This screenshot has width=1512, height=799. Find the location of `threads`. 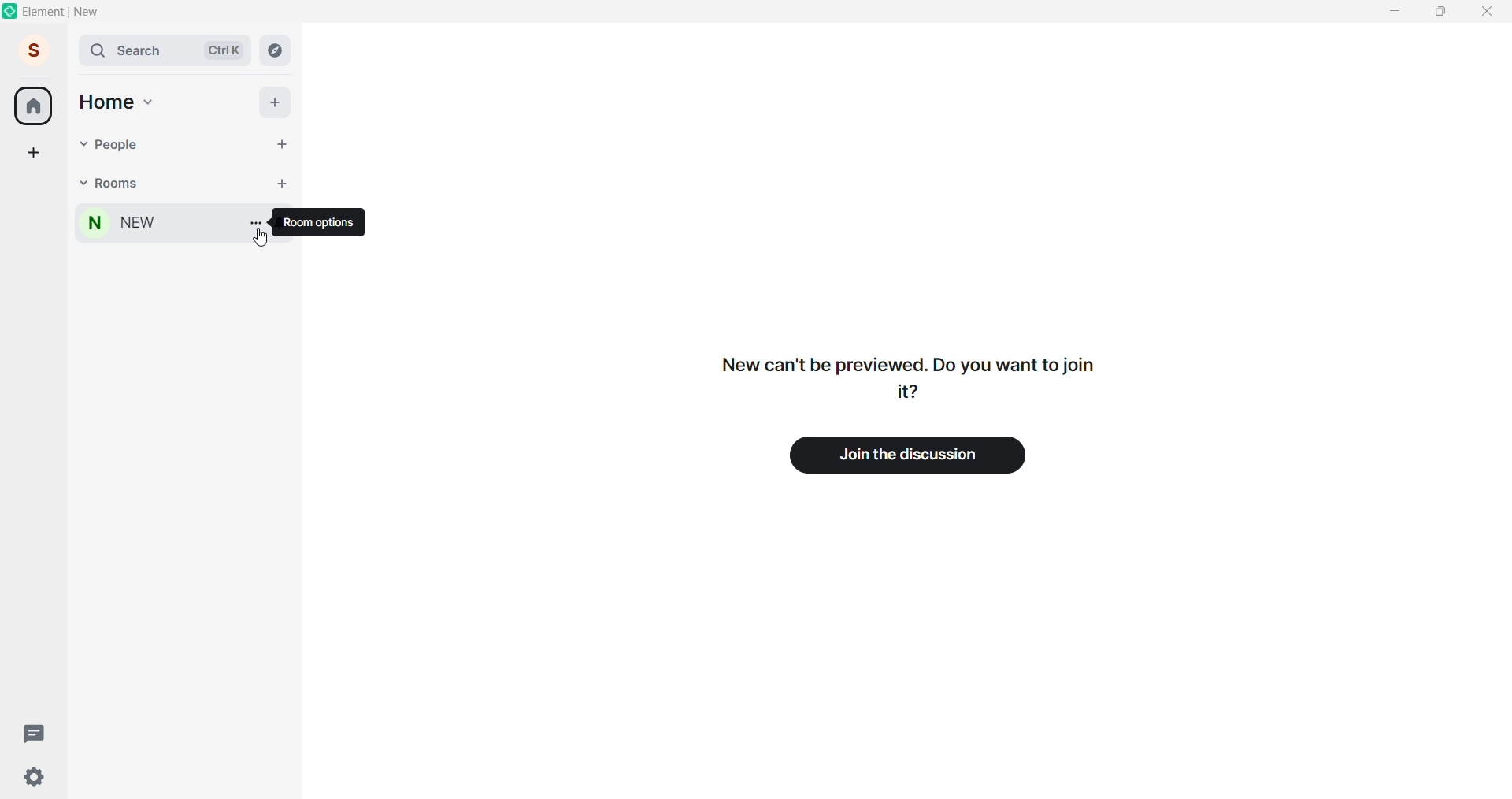

threads is located at coordinates (39, 736).